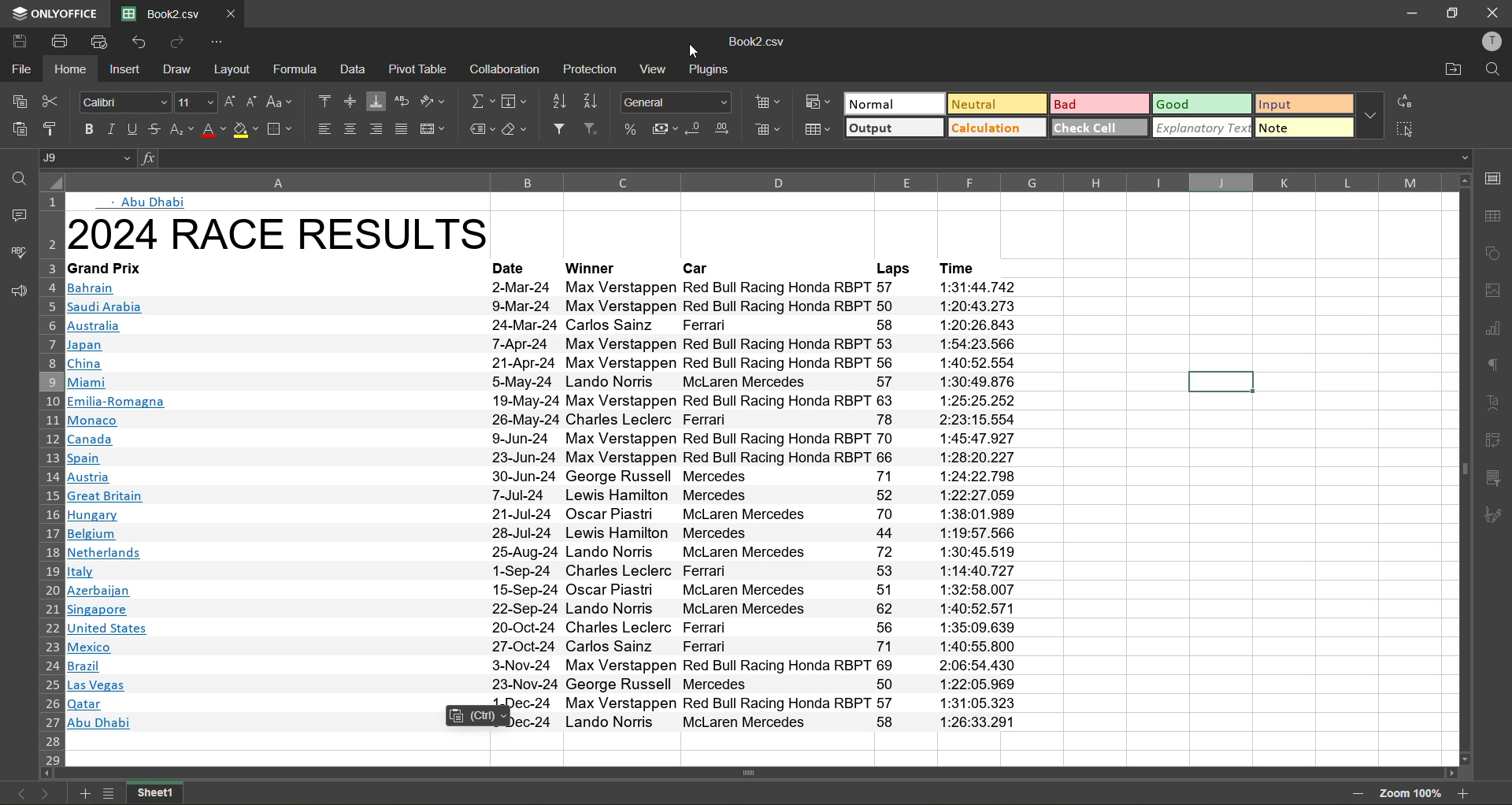 The height and width of the screenshot is (805, 1512). Describe the element at coordinates (132, 128) in the screenshot. I see `underline` at that location.